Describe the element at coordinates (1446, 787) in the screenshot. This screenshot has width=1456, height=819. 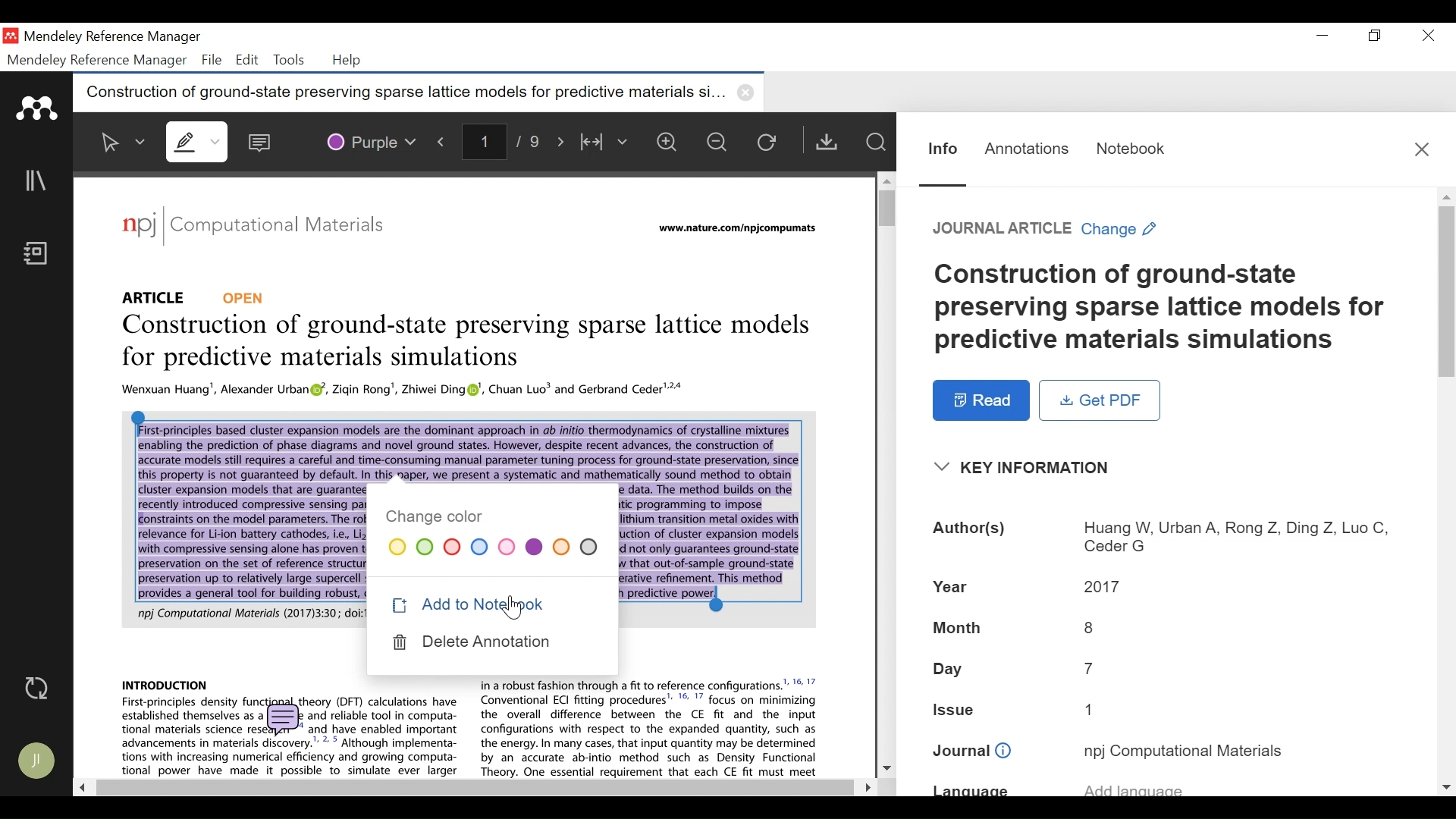
I see `scroll down` at that location.